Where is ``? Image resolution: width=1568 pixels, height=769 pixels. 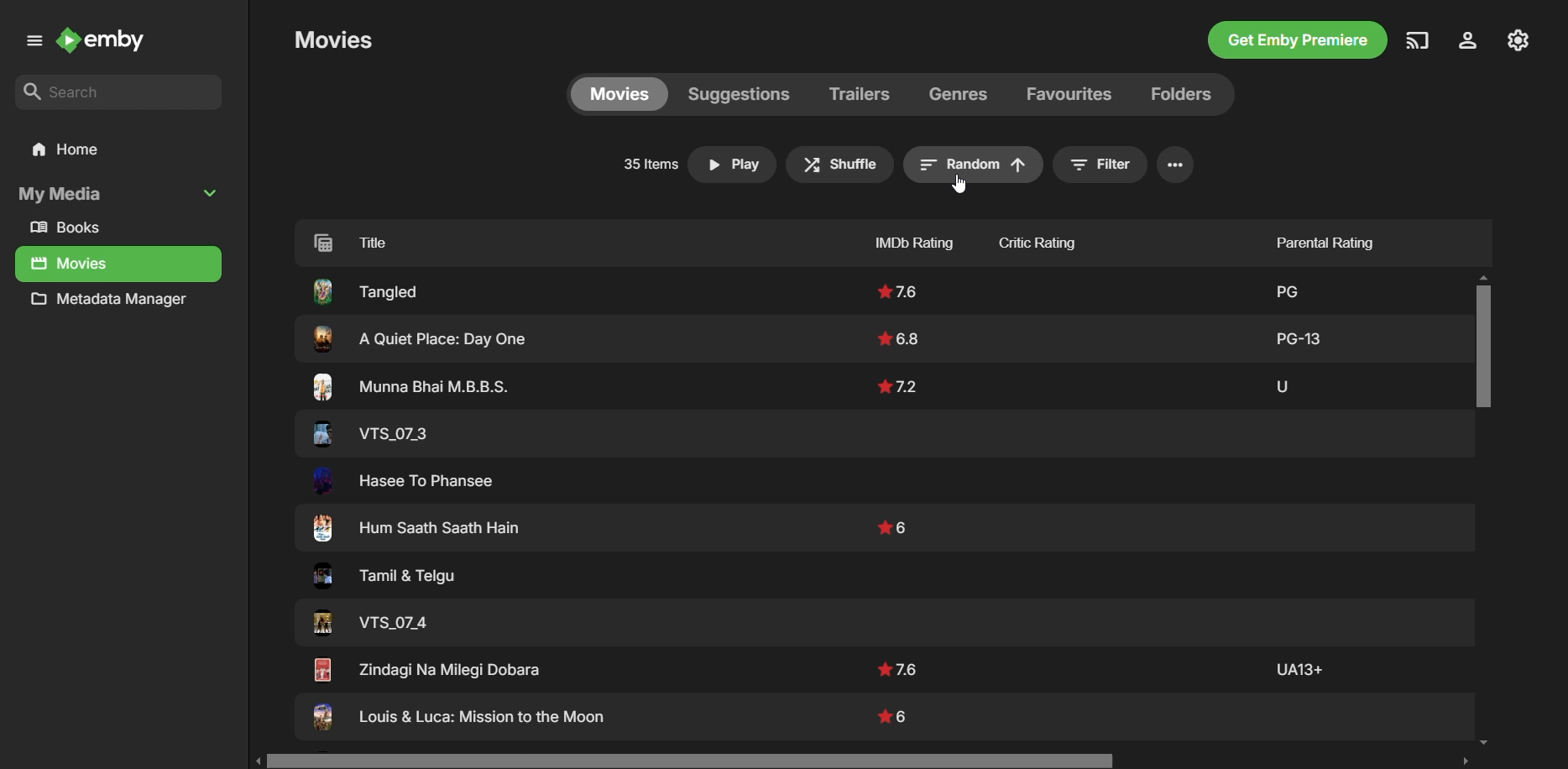  is located at coordinates (379, 578).